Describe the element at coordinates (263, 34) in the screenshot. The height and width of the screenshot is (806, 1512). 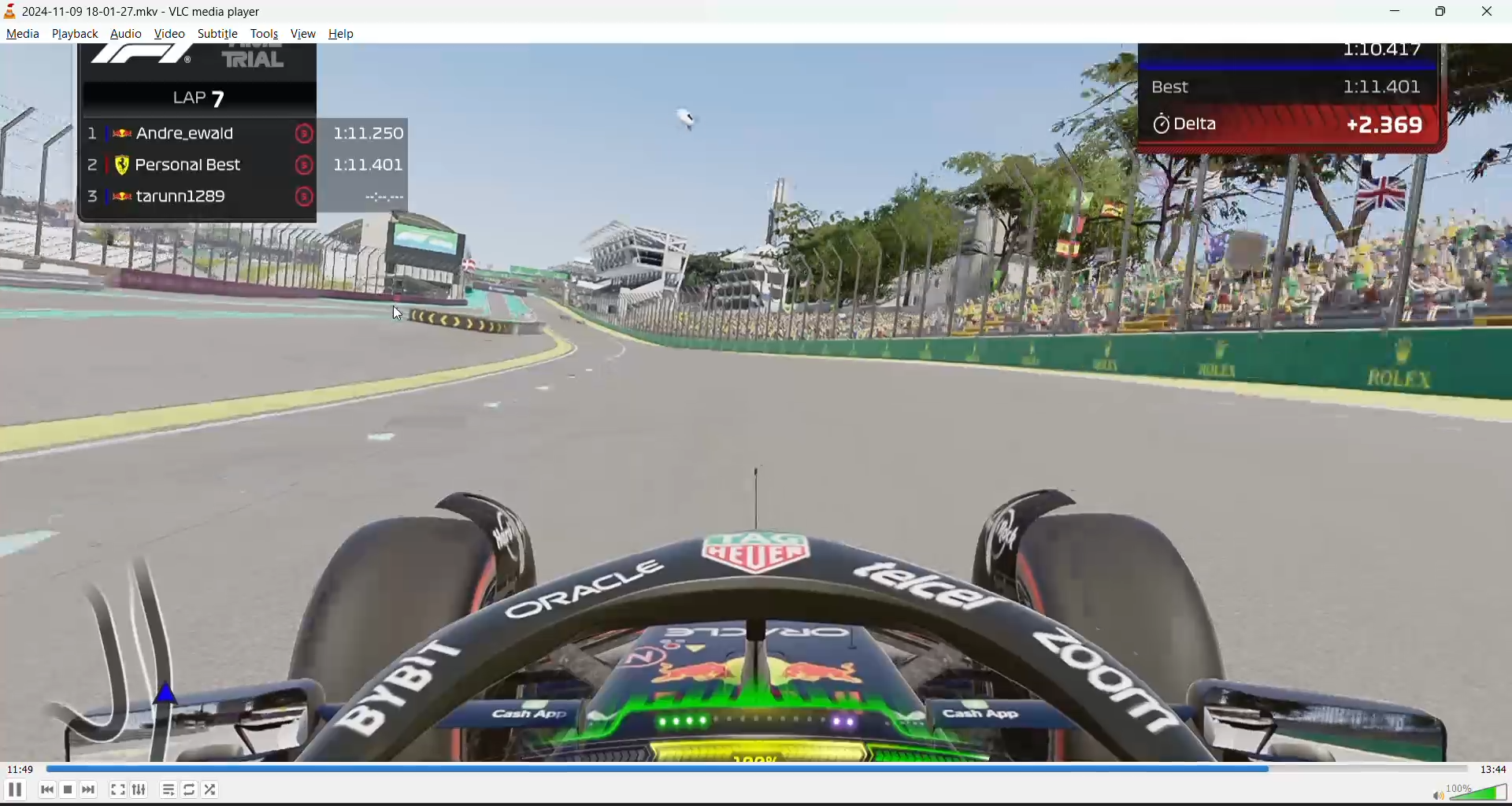
I see `tools` at that location.